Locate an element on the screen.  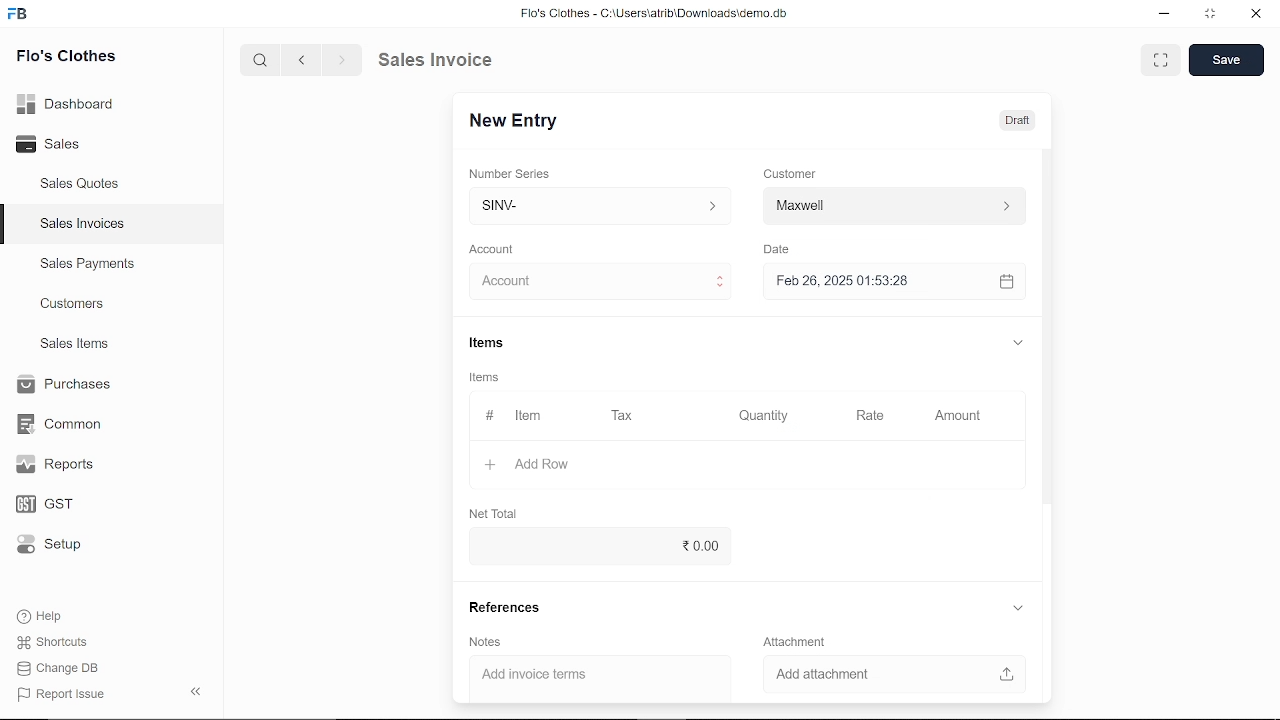
Account is located at coordinates (497, 250).